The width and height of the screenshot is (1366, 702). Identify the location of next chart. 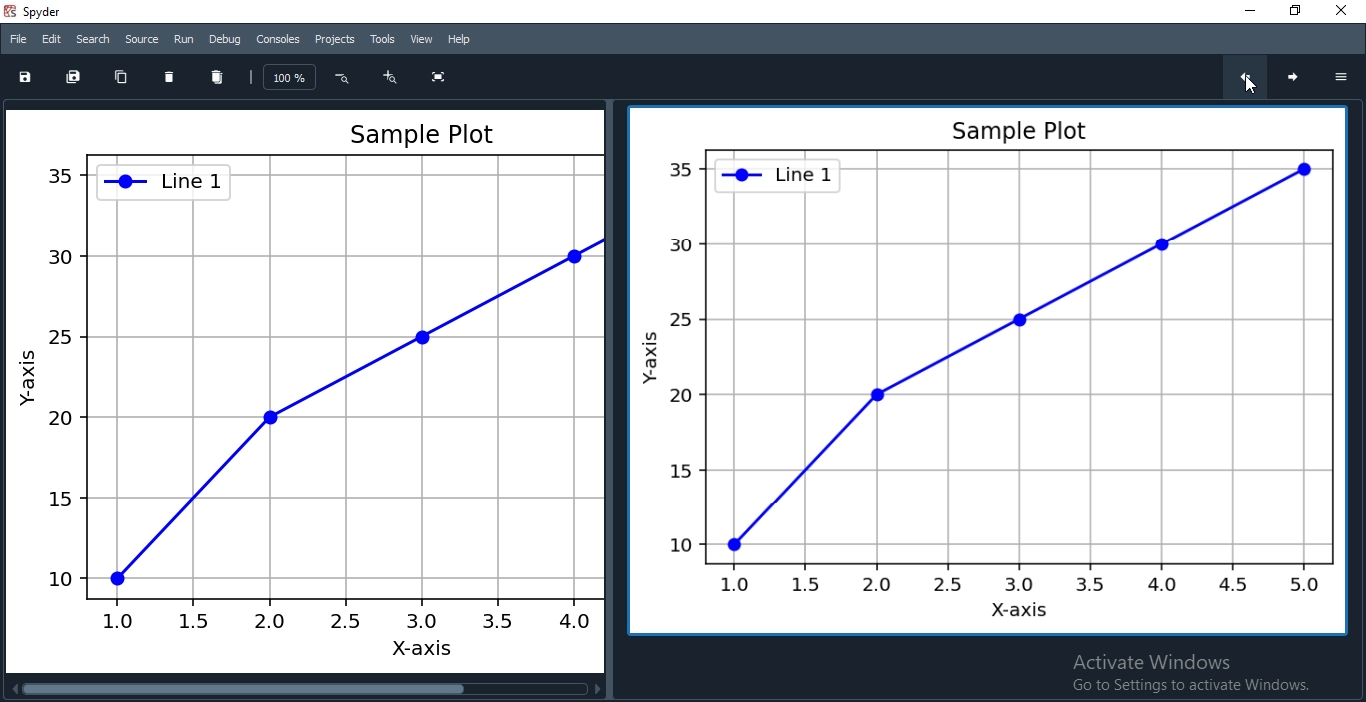
(1297, 79).